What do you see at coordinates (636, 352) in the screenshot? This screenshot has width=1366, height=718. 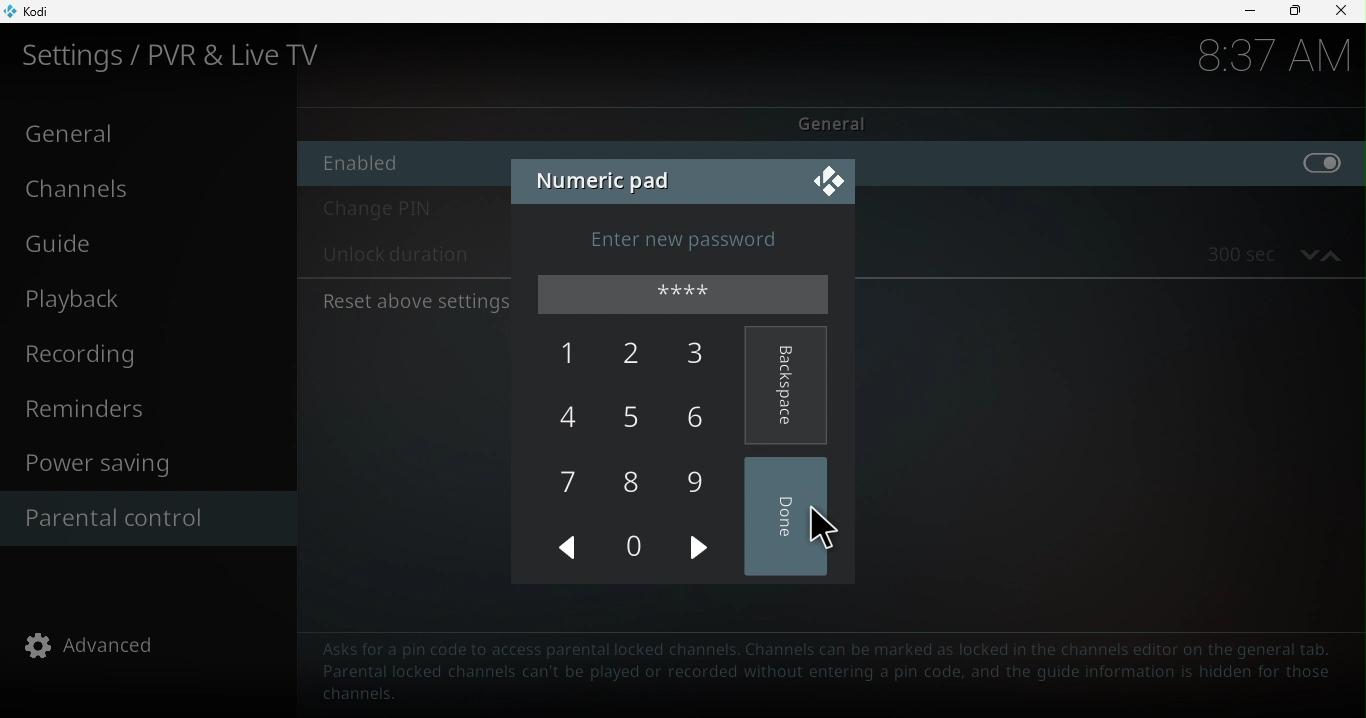 I see `2` at bounding box center [636, 352].